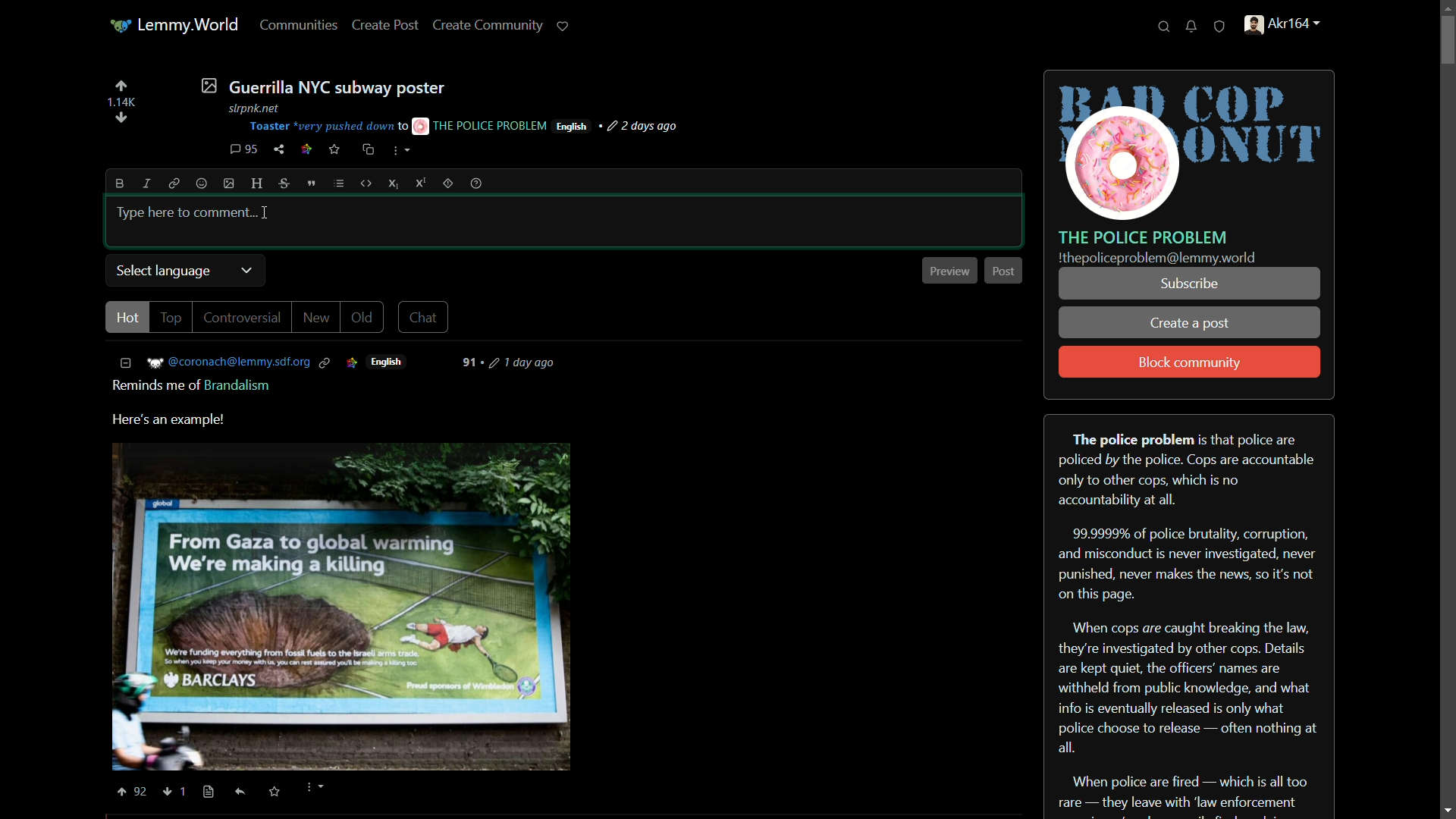 The height and width of the screenshot is (819, 1456). What do you see at coordinates (250, 106) in the screenshot?
I see `stpnk net` at bounding box center [250, 106].